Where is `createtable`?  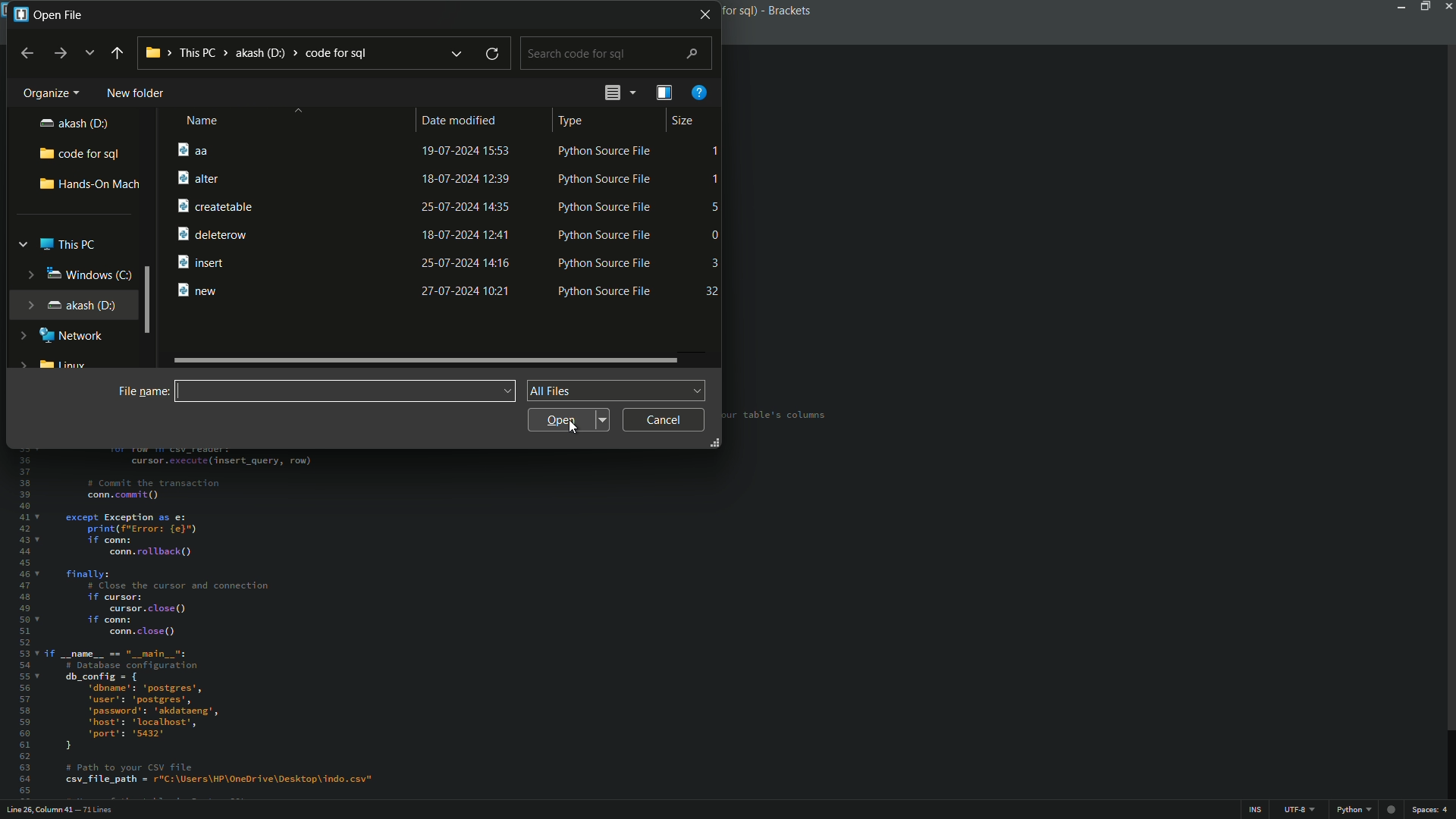 createtable is located at coordinates (214, 206).